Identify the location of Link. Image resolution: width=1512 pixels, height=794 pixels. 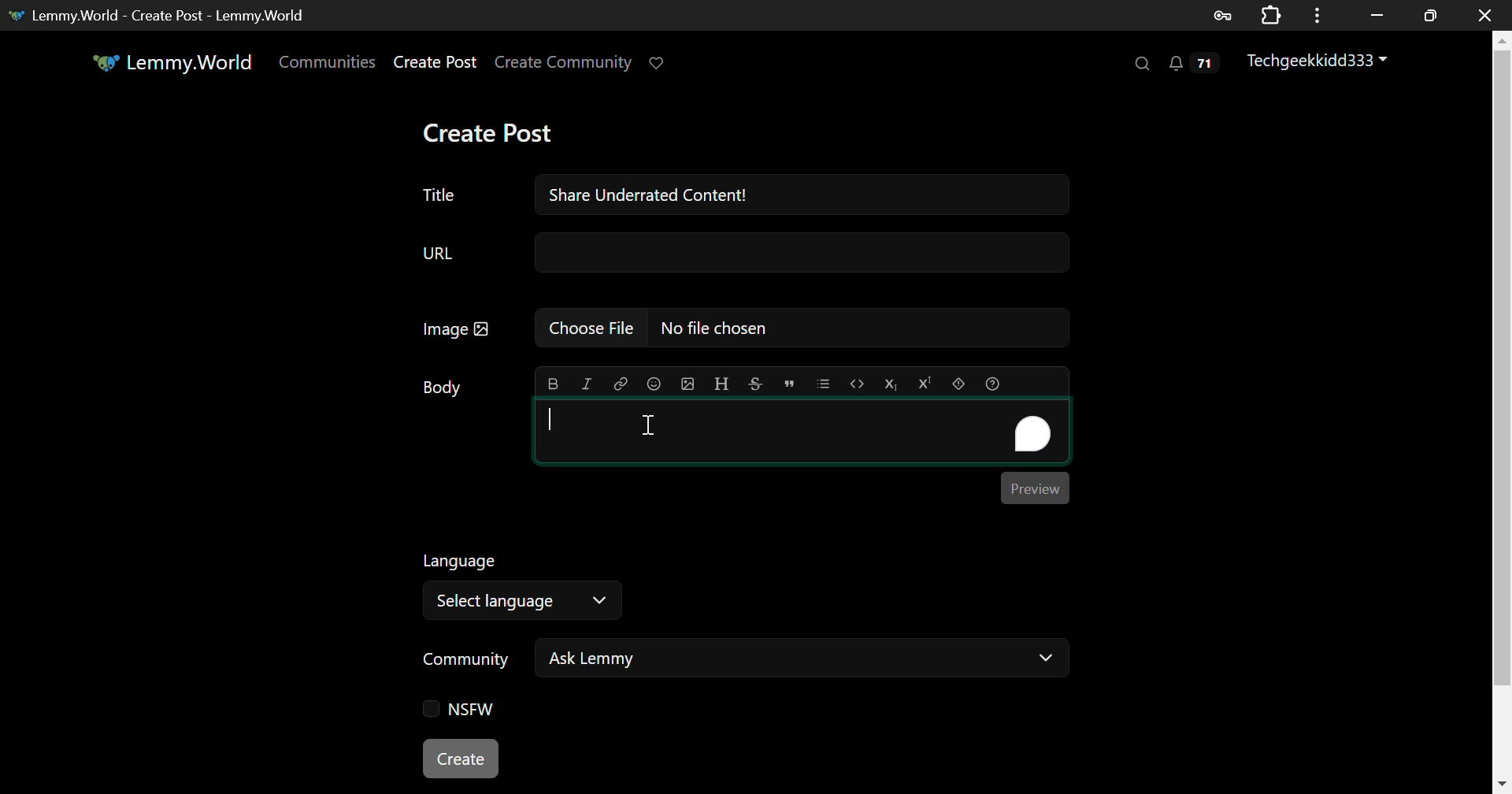
(619, 382).